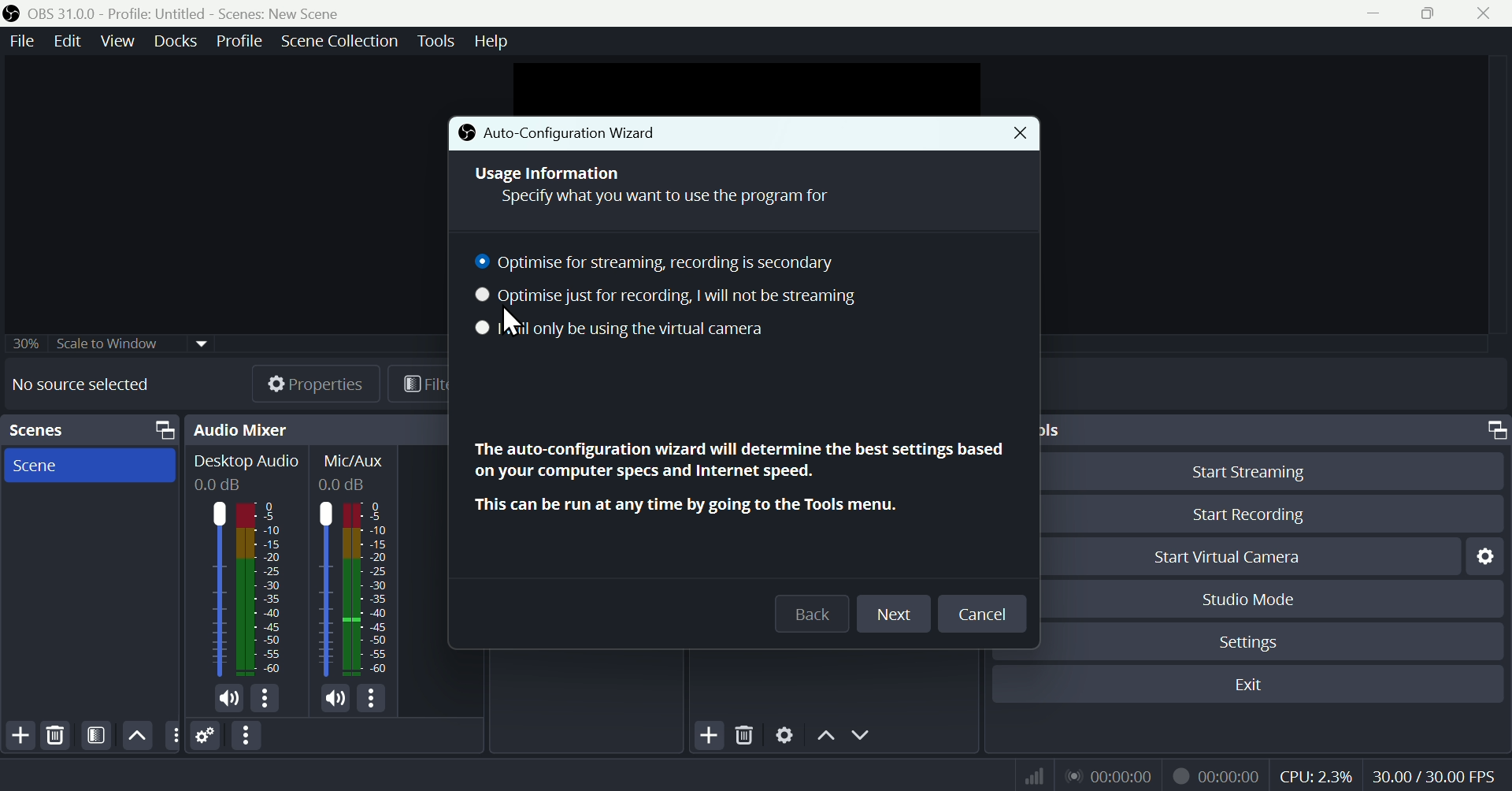 The image size is (1512, 791). What do you see at coordinates (982, 614) in the screenshot?
I see `Cancel` at bounding box center [982, 614].